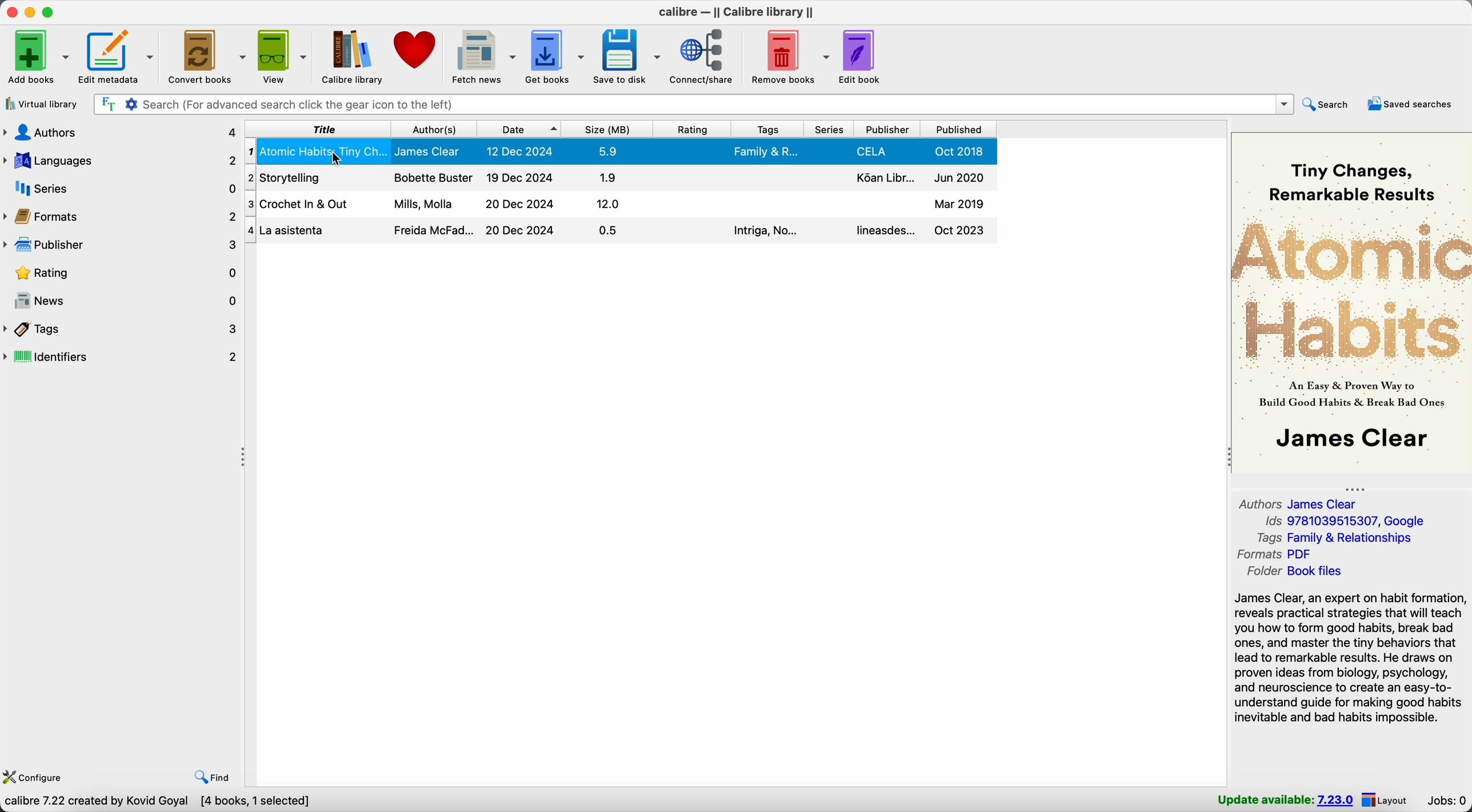 The image size is (1472, 812). Describe the element at coordinates (1327, 105) in the screenshot. I see `search` at that location.